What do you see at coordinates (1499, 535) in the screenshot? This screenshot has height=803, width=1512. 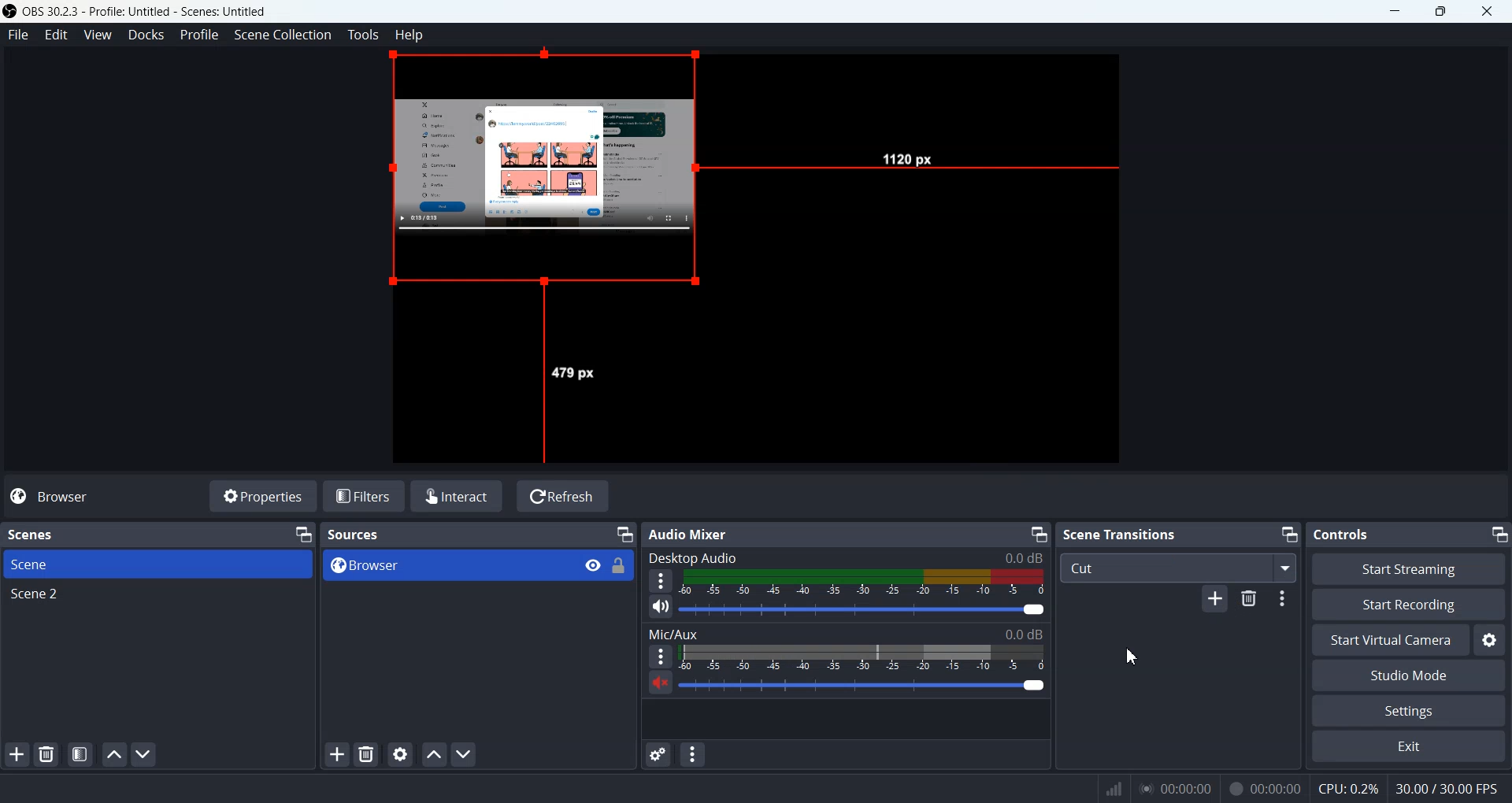 I see `Minimize` at bounding box center [1499, 535].